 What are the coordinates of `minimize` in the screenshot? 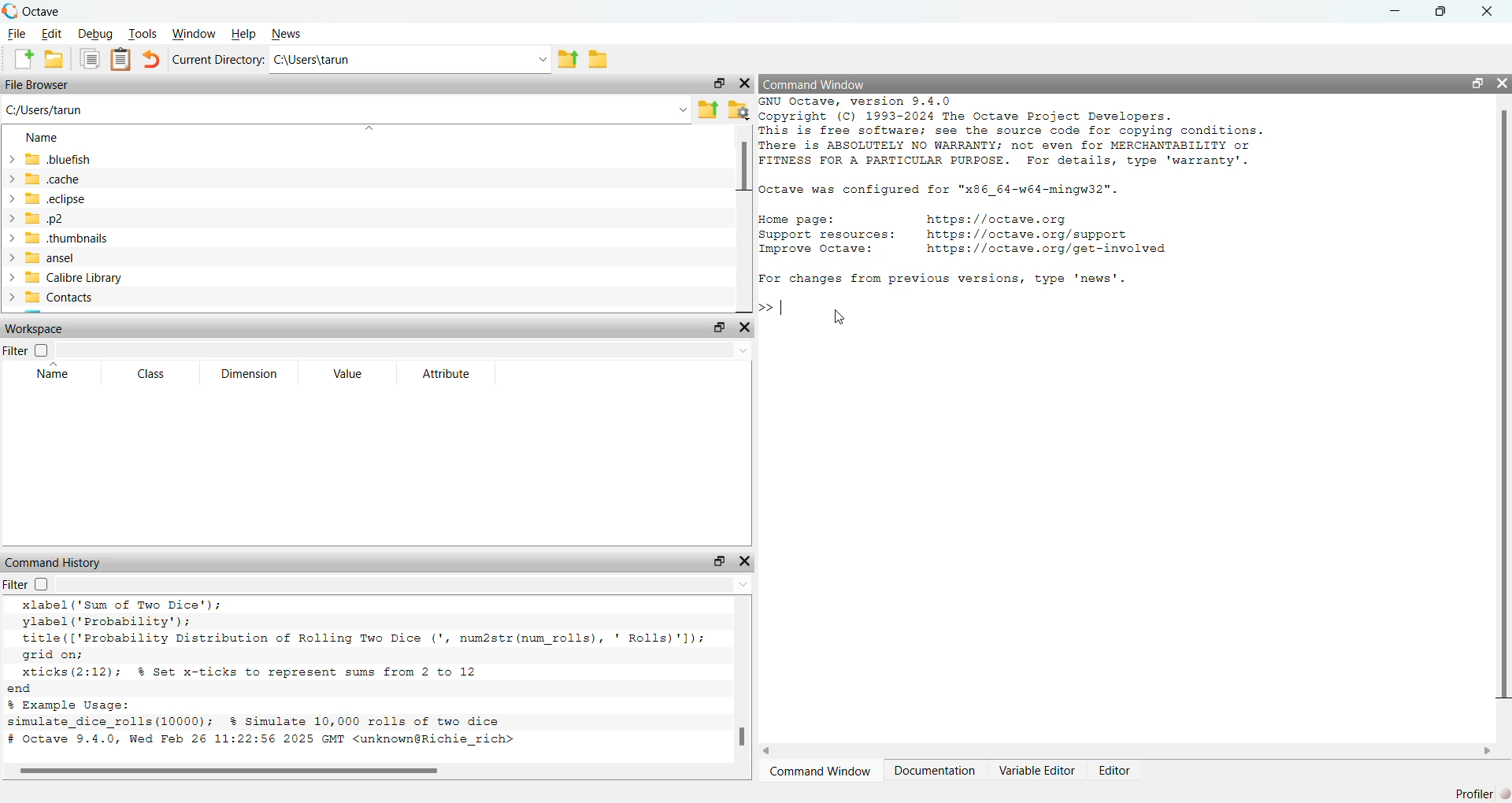 It's located at (1391, 13).